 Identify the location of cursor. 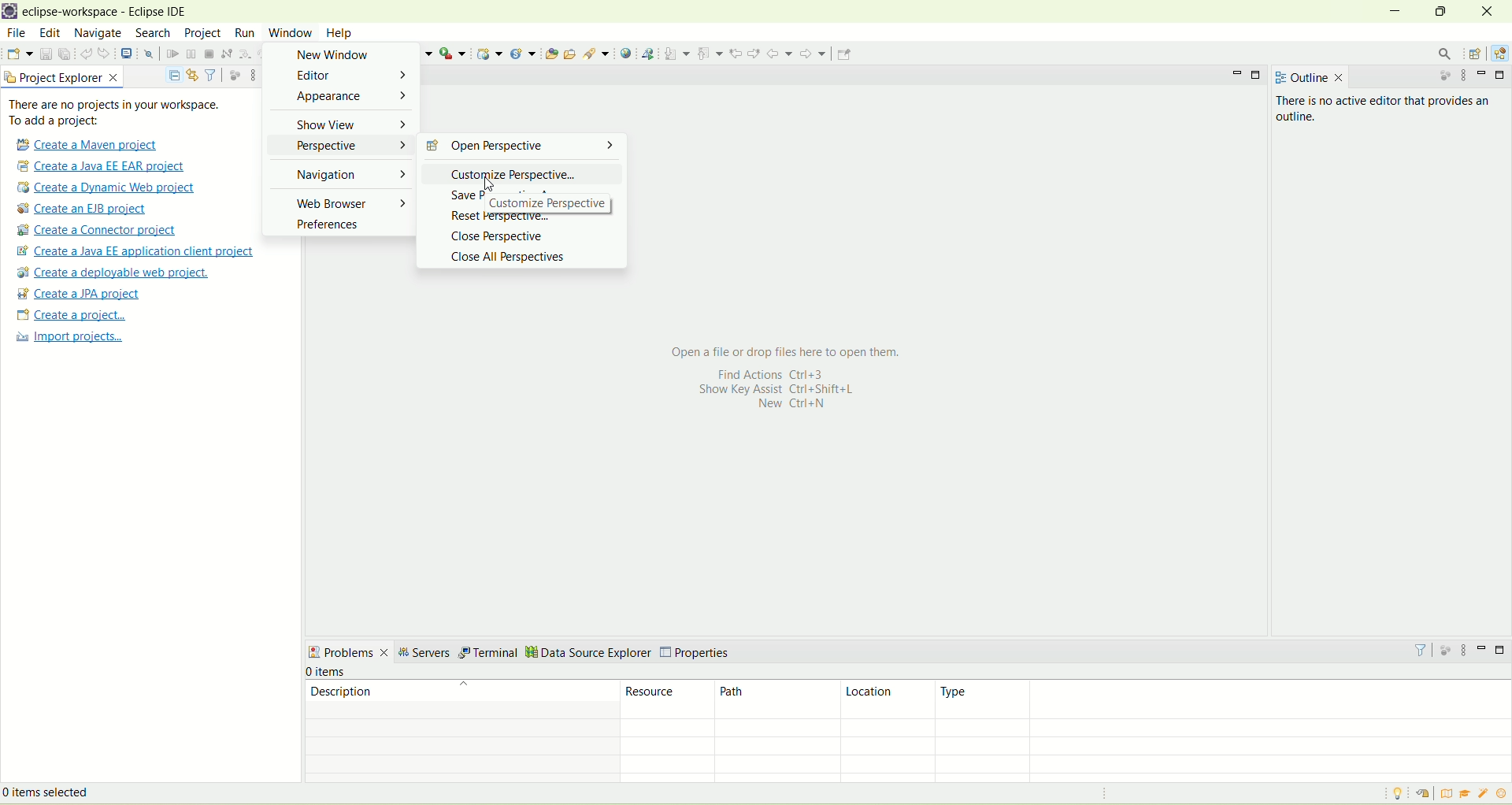
(490, 184).